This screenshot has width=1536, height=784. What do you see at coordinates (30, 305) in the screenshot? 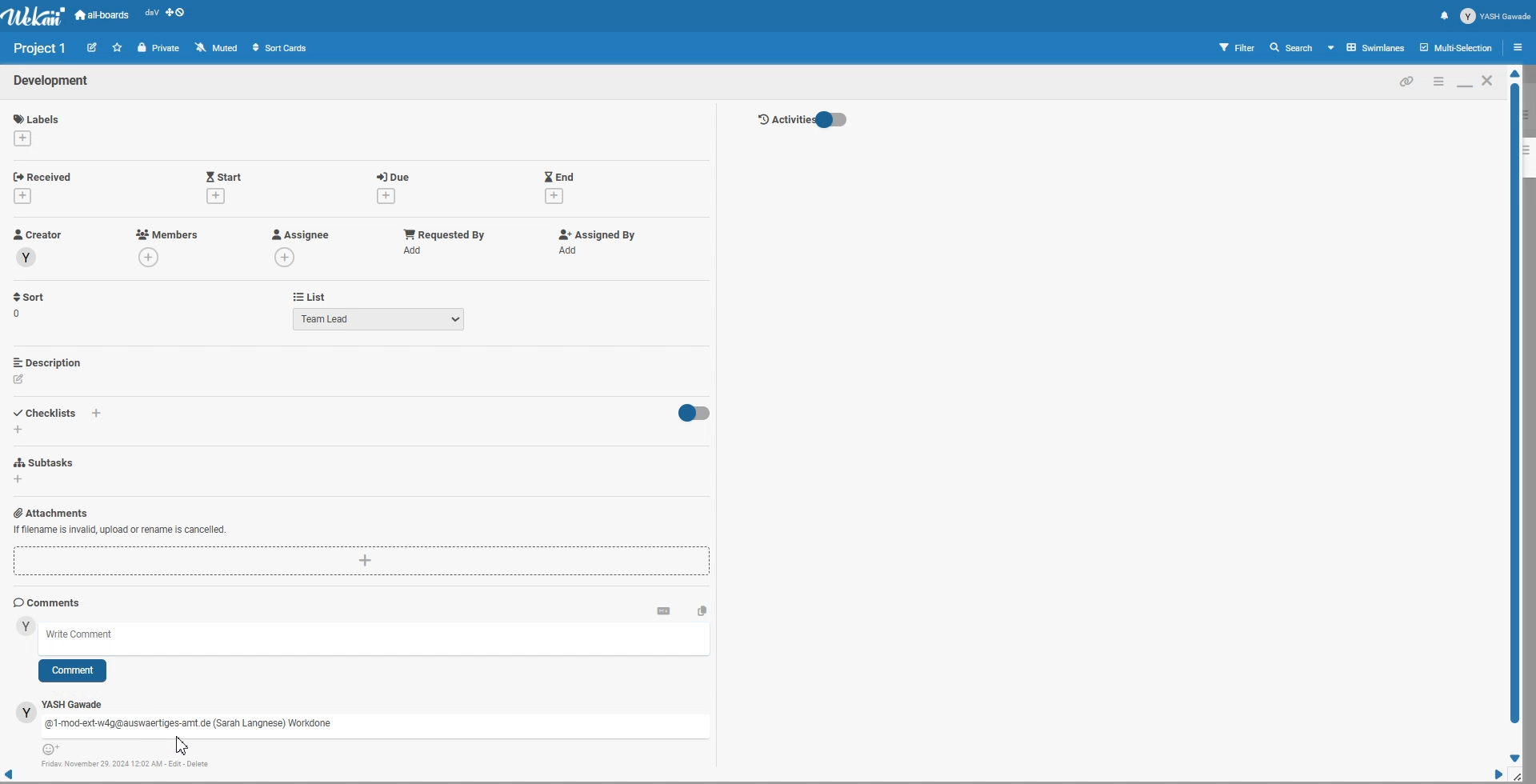
I see `Sort` at bounding box center [30, 305].